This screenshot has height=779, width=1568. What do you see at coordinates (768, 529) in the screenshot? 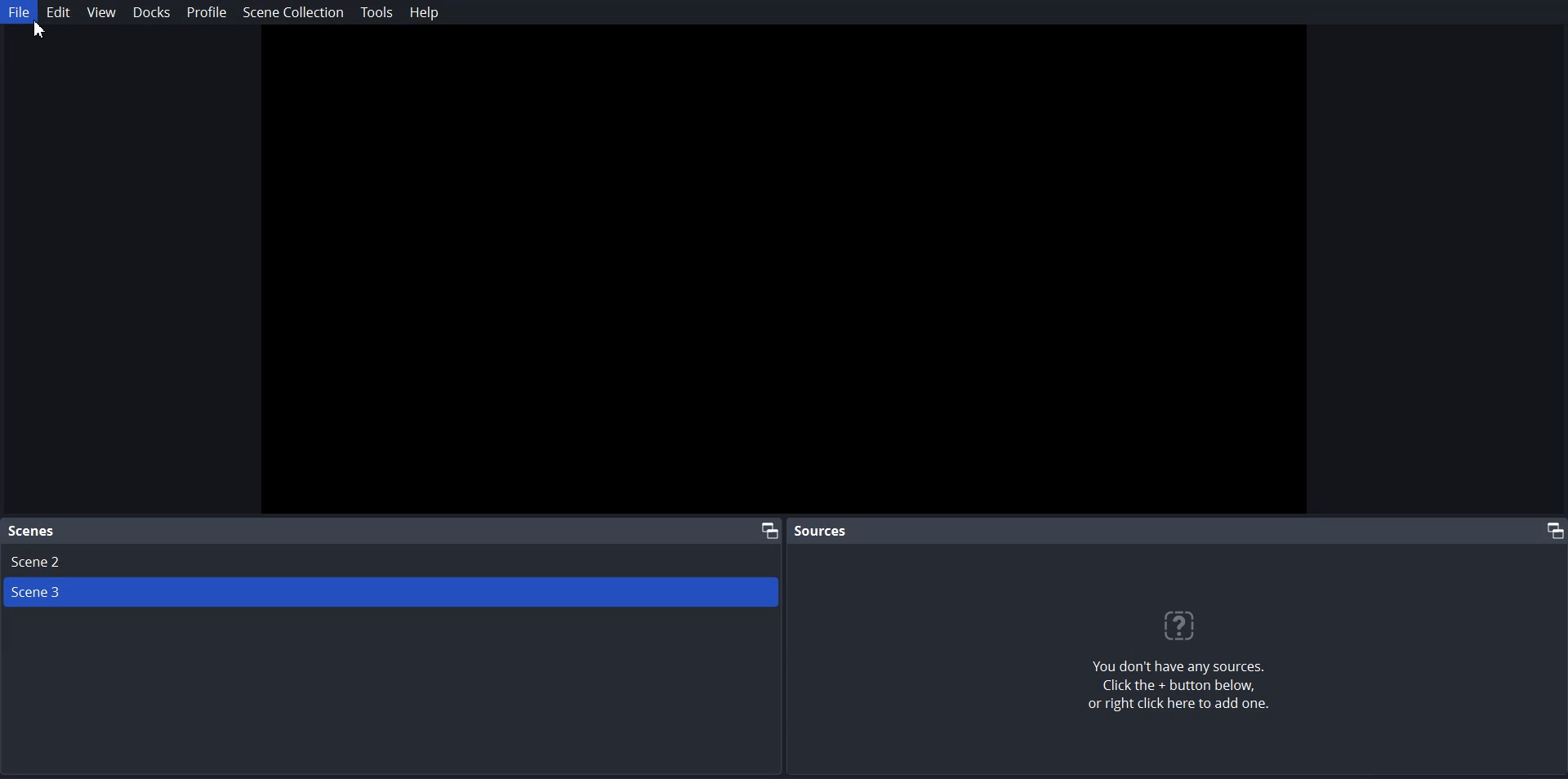
I see `Maximize` at bounding box center [768, 529].